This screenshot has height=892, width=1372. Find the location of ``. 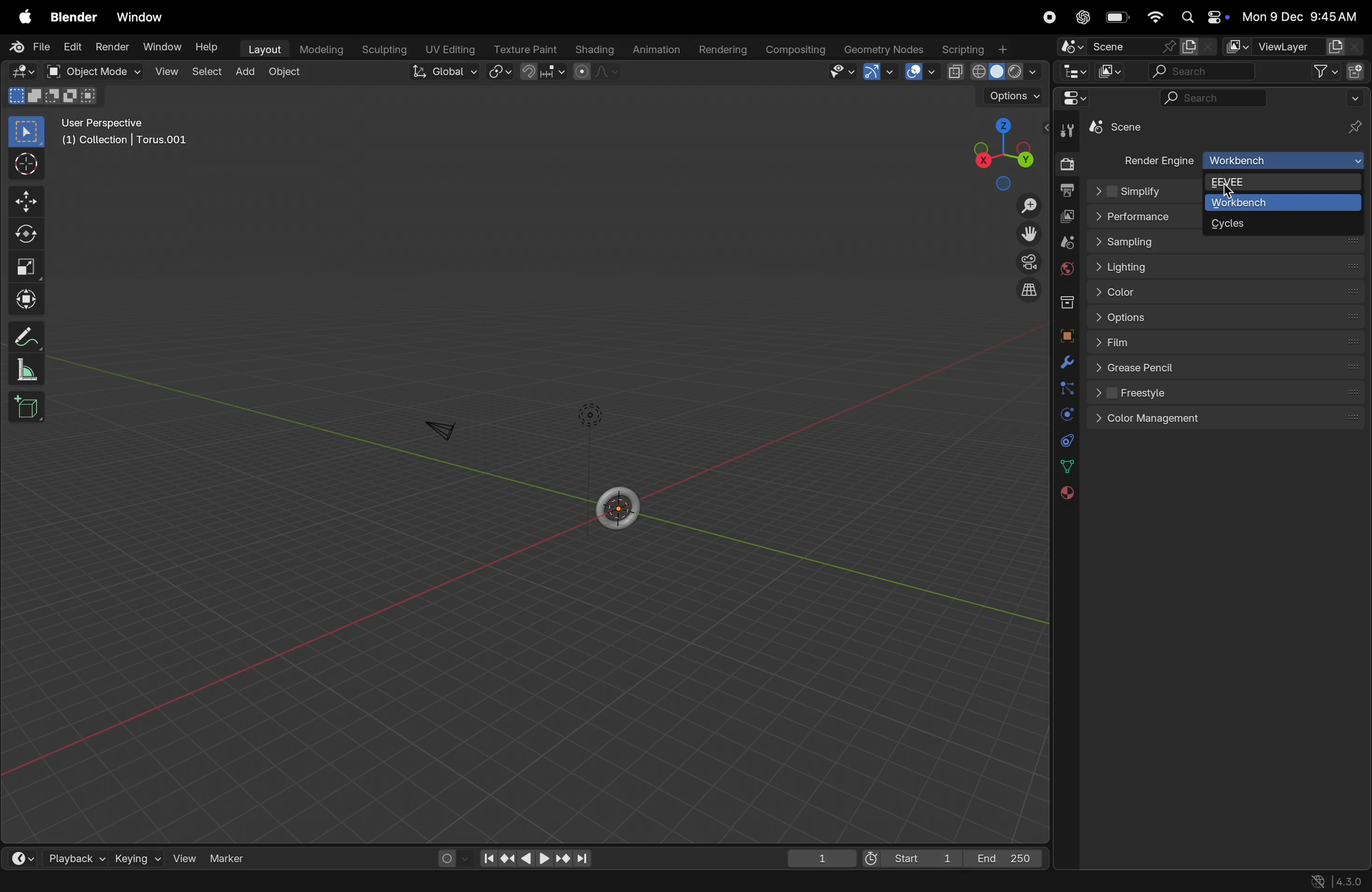

 is located at coordinates (1124, 190).